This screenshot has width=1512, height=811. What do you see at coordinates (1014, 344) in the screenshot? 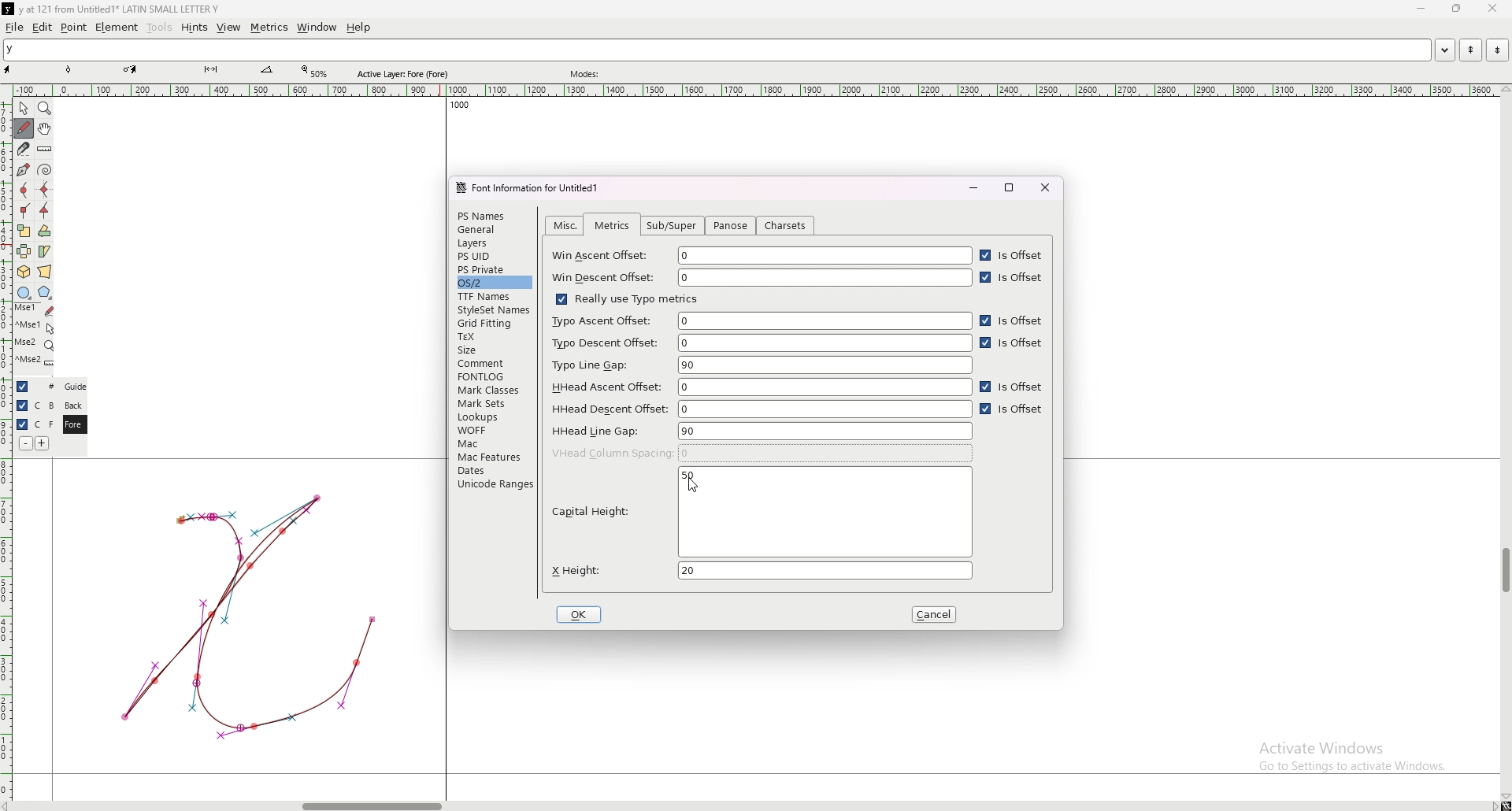
I see `is offset` at bounding box center [1014, 344].